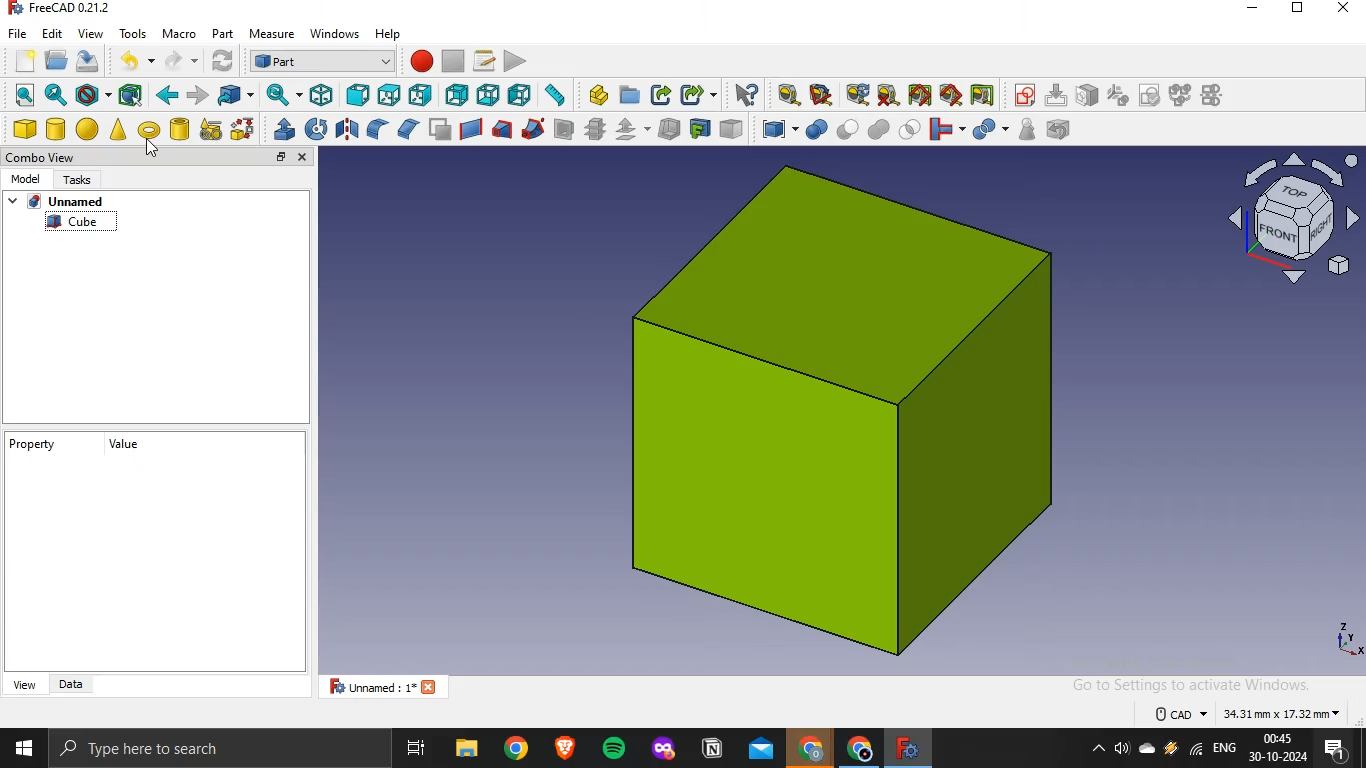 This screenshot has height=768, width=1366. I want to click on view, so click(91, 35).